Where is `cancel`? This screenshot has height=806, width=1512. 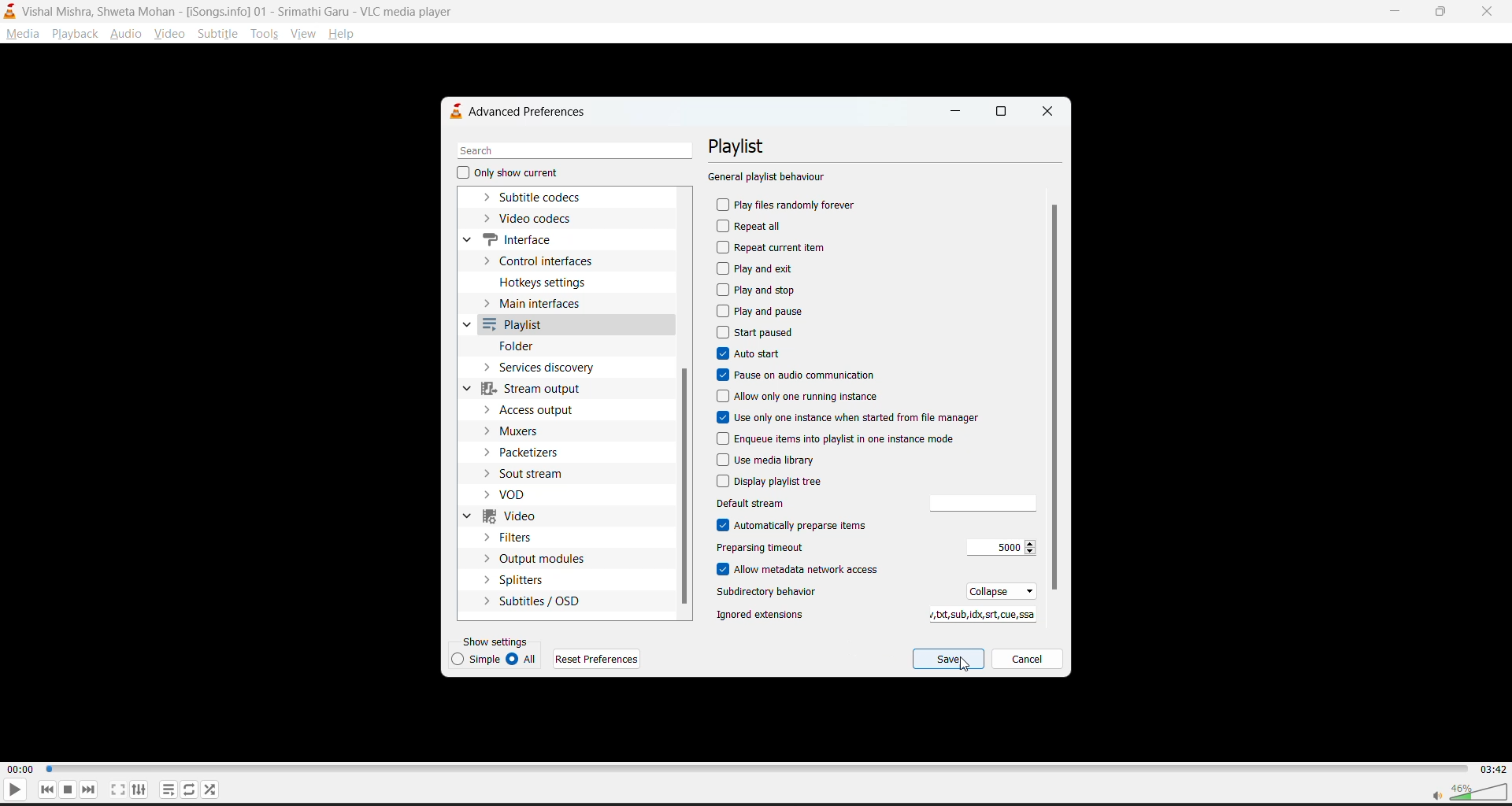
cancel is located at coordinates (1030, 659).